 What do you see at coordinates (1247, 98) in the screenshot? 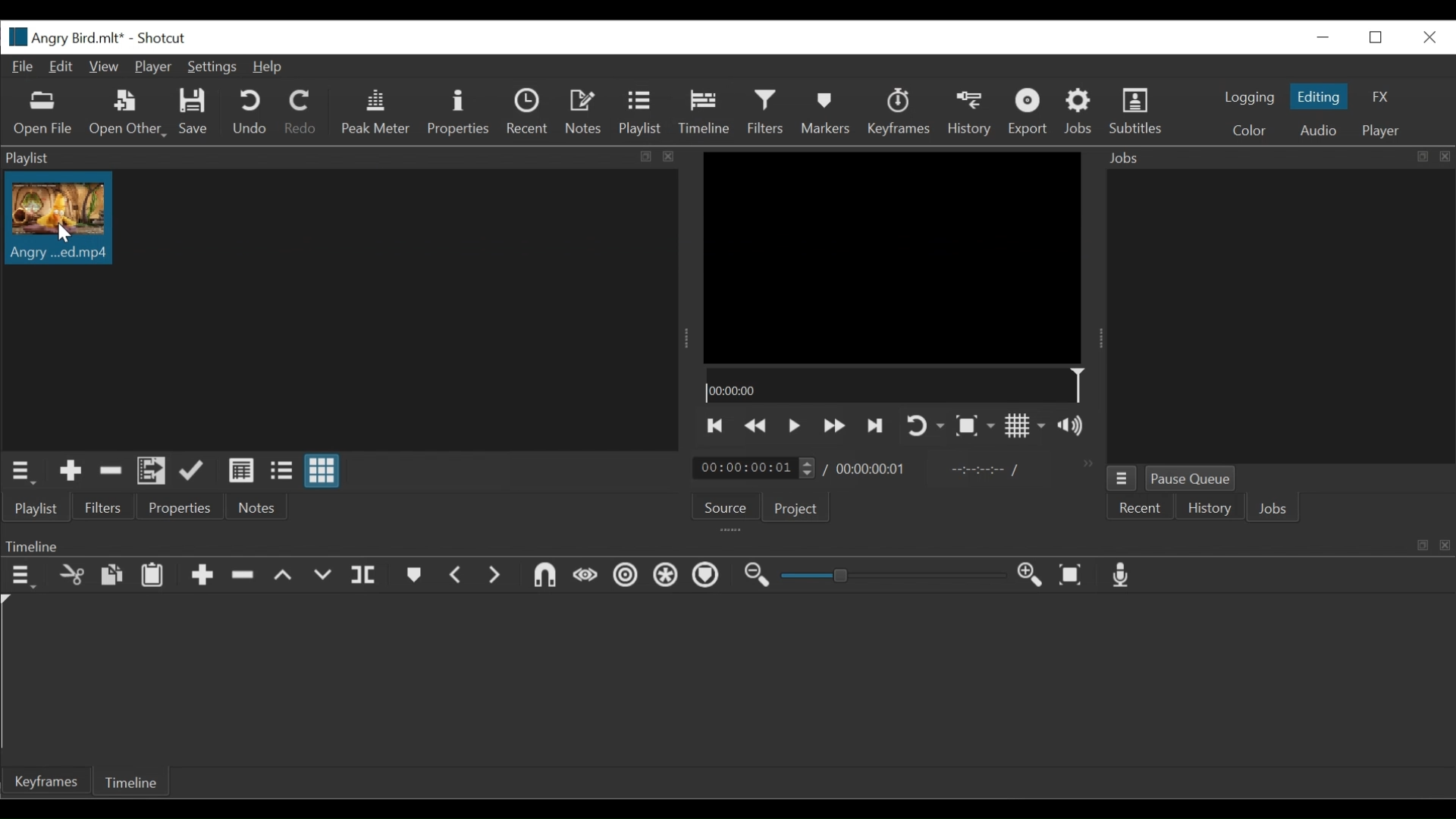
I see `logging` at bounding box center [1247, 98].